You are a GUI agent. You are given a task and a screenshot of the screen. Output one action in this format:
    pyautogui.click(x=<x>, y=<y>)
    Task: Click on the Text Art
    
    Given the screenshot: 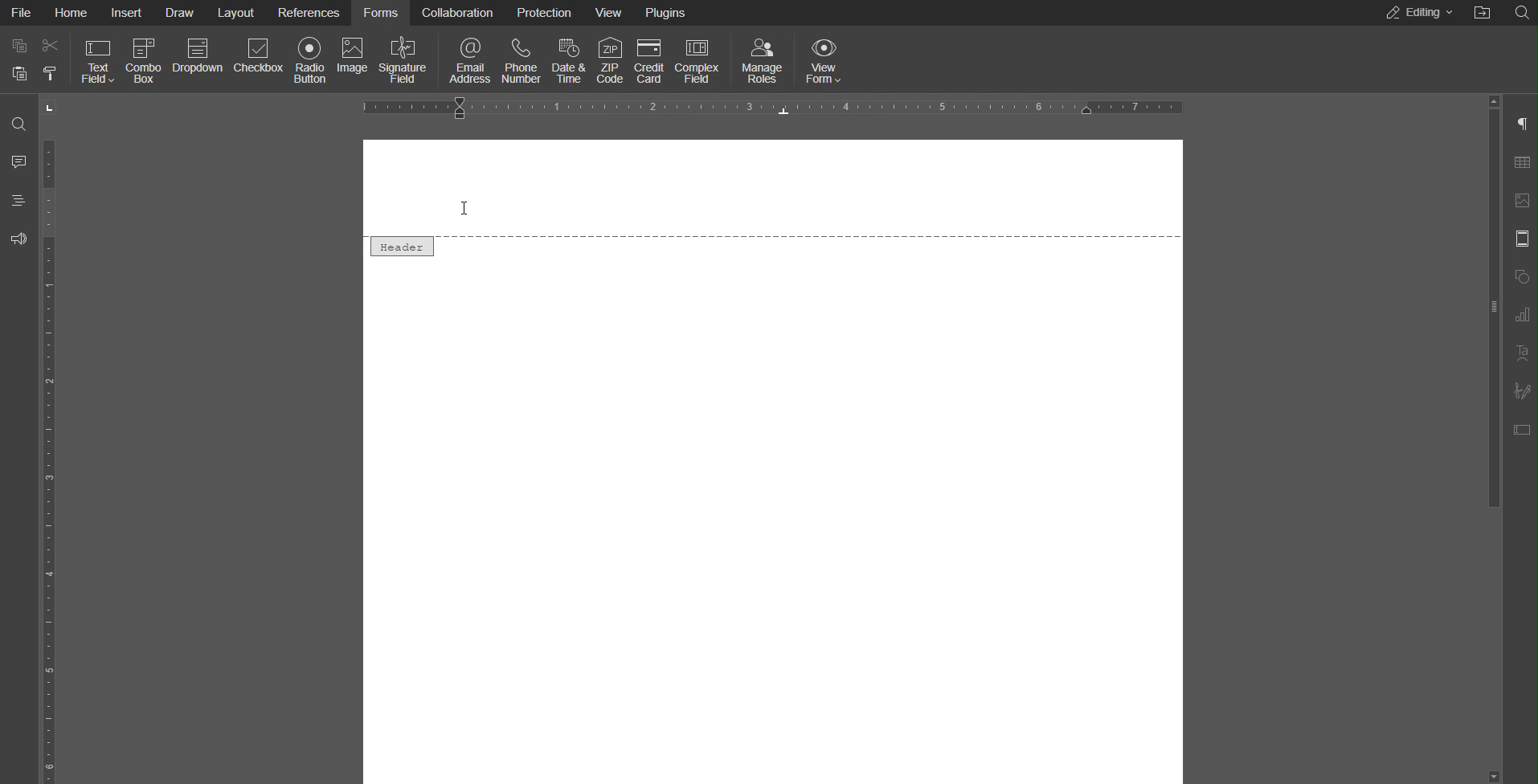 What is the action you would take?
    pyautogui.click(x=1520, y=353)
    